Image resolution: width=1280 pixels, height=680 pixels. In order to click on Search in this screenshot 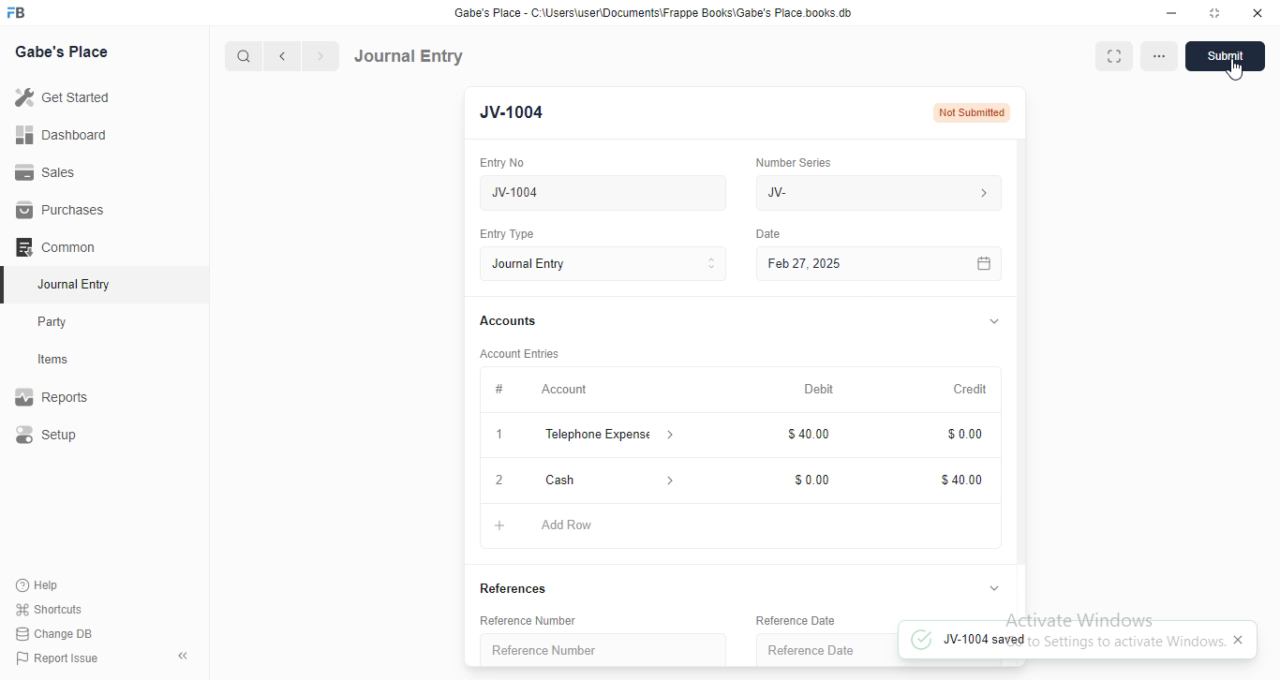, I will do `click(239, 56)`.